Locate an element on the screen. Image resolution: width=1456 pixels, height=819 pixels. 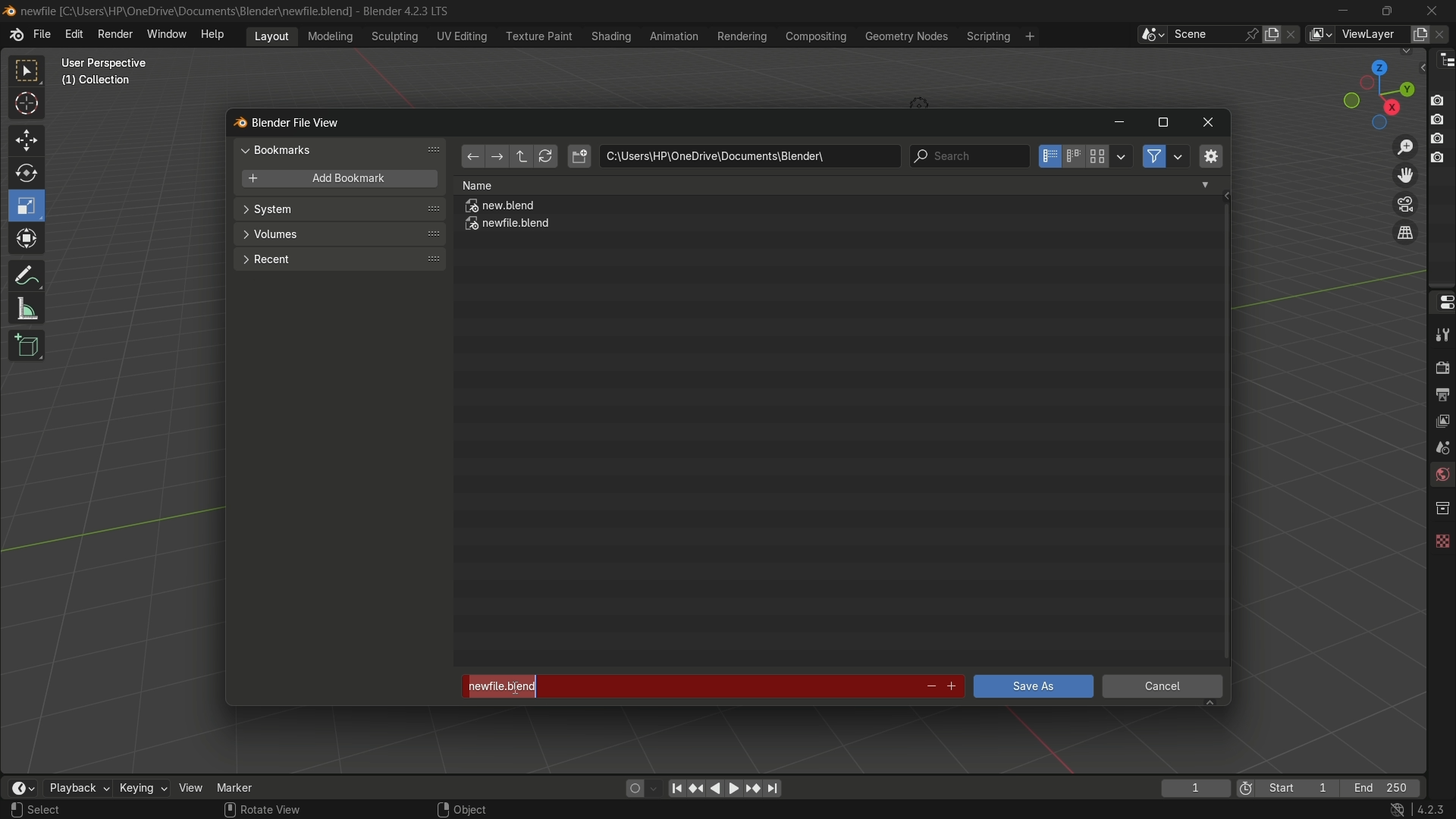
layout menu is located at coordinates (271, 35).